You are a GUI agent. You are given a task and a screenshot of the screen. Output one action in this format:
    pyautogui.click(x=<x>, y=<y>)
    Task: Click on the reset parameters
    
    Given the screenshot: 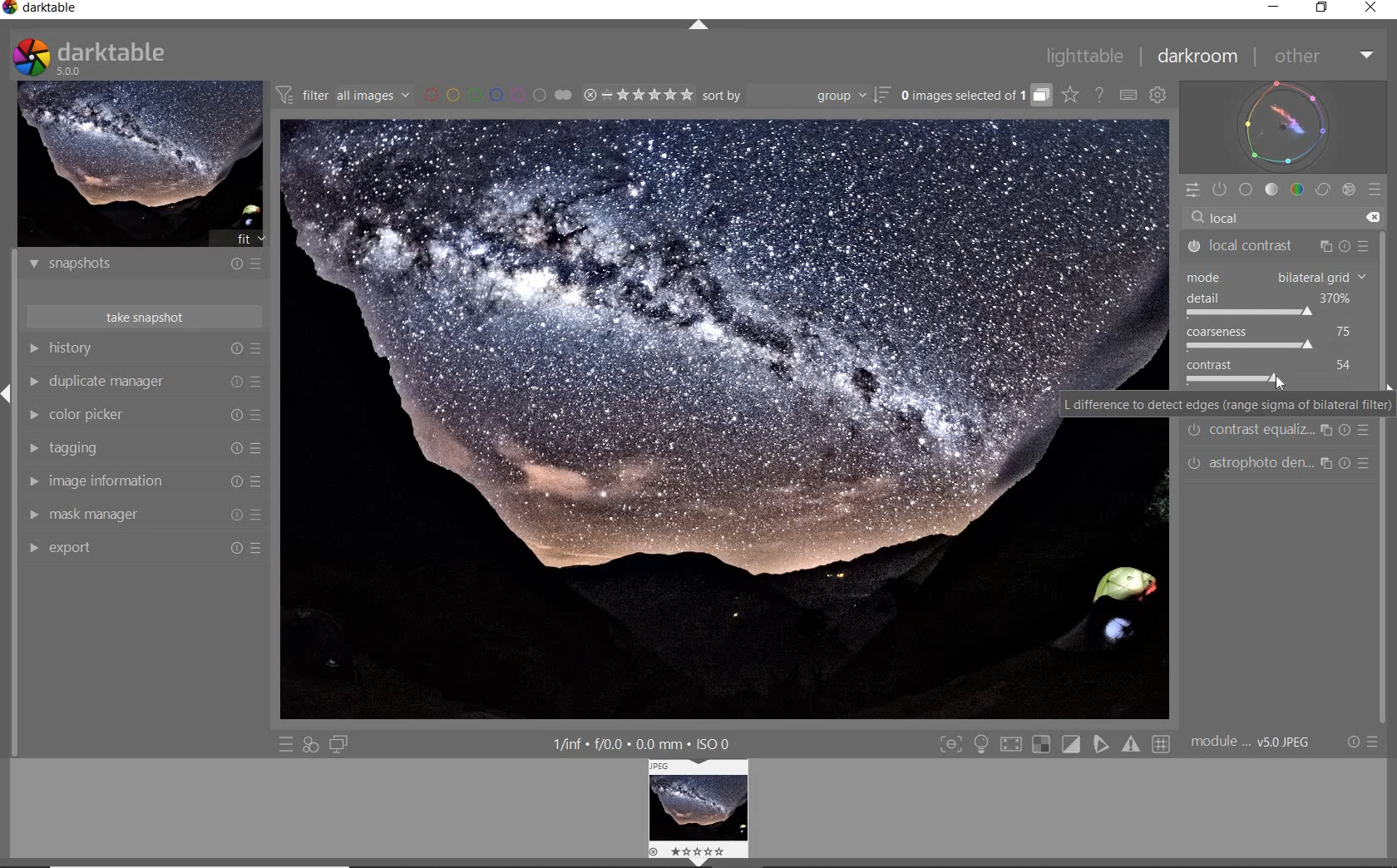 What is the action you would take?
    pyautogui.click(x=1346, y=430)
    